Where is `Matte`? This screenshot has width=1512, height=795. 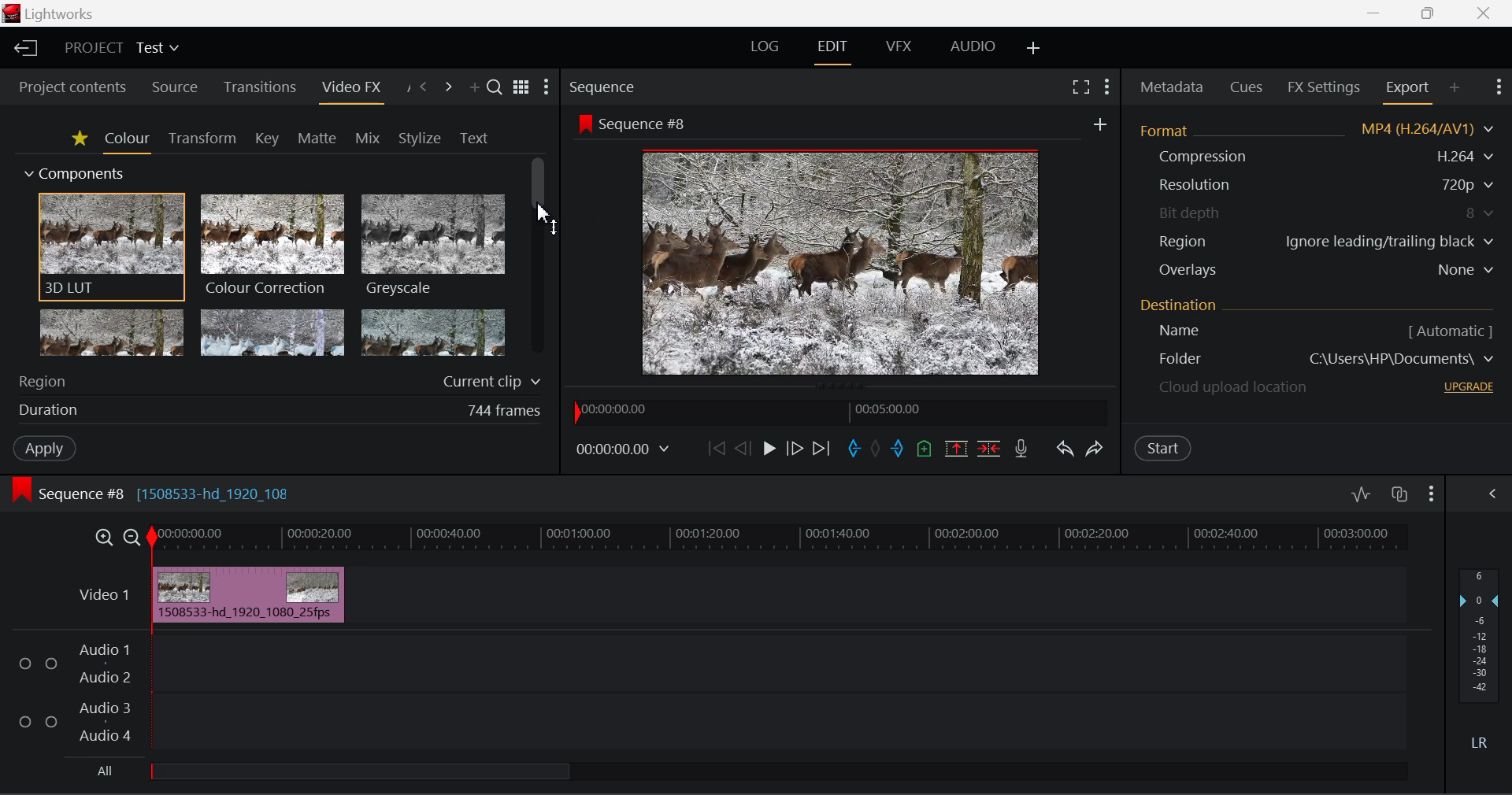 Matte is located at coordinates (317, 138).